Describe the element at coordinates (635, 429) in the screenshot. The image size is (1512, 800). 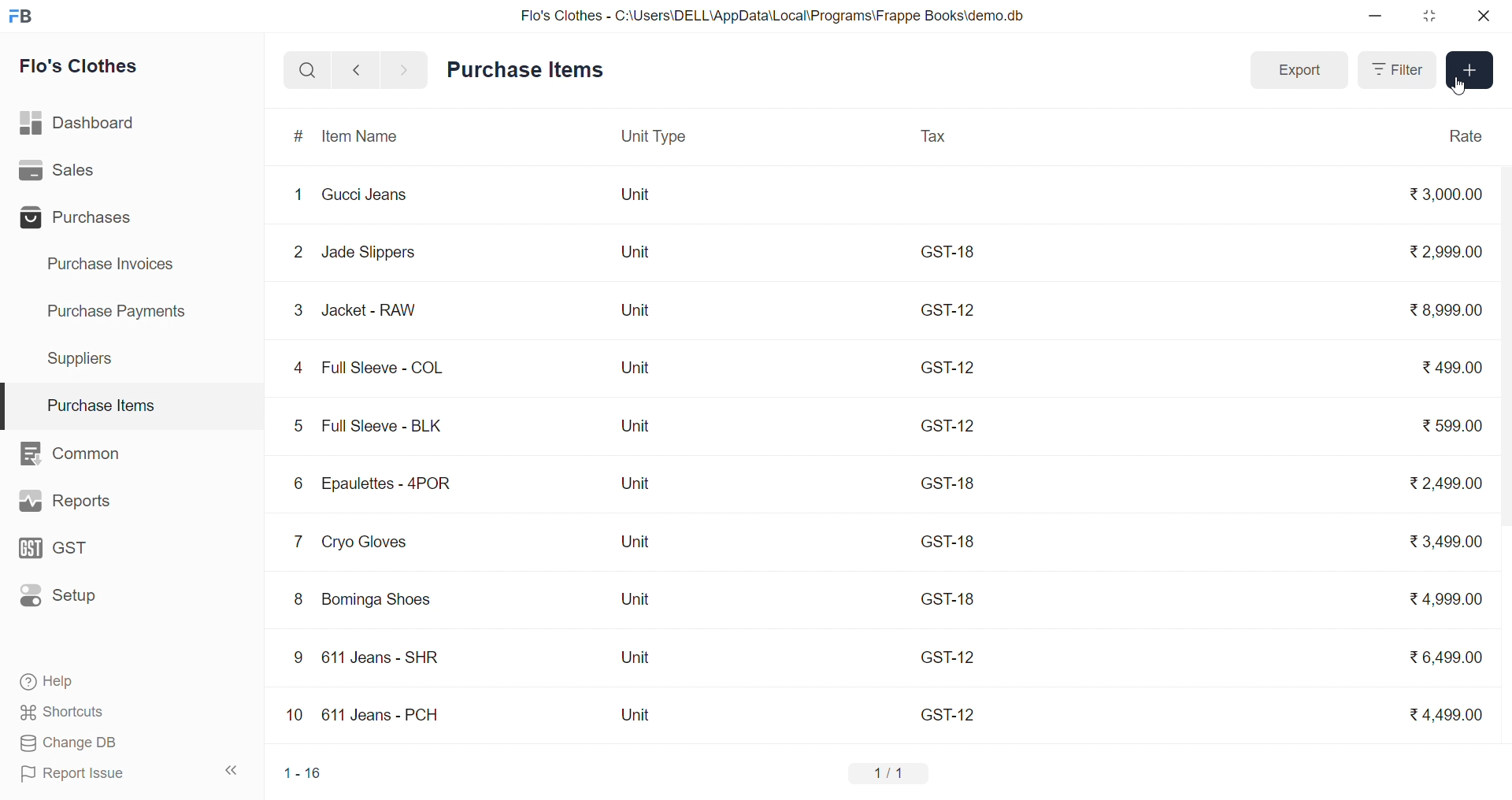
I see `Unit` at that location.